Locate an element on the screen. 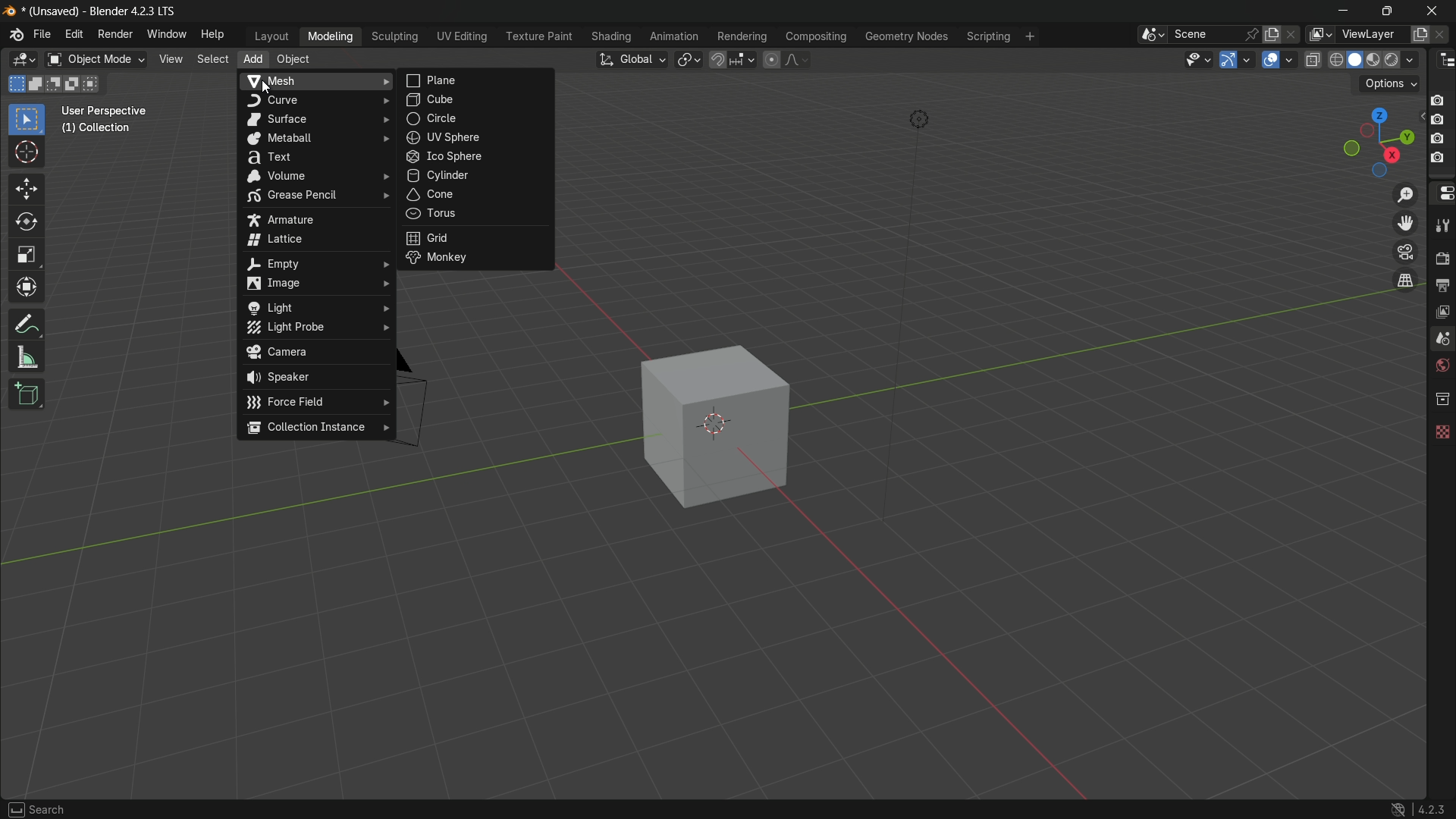 This screenshot has width=1456, height=819. ico sphere is located at coordinates (477, 158).